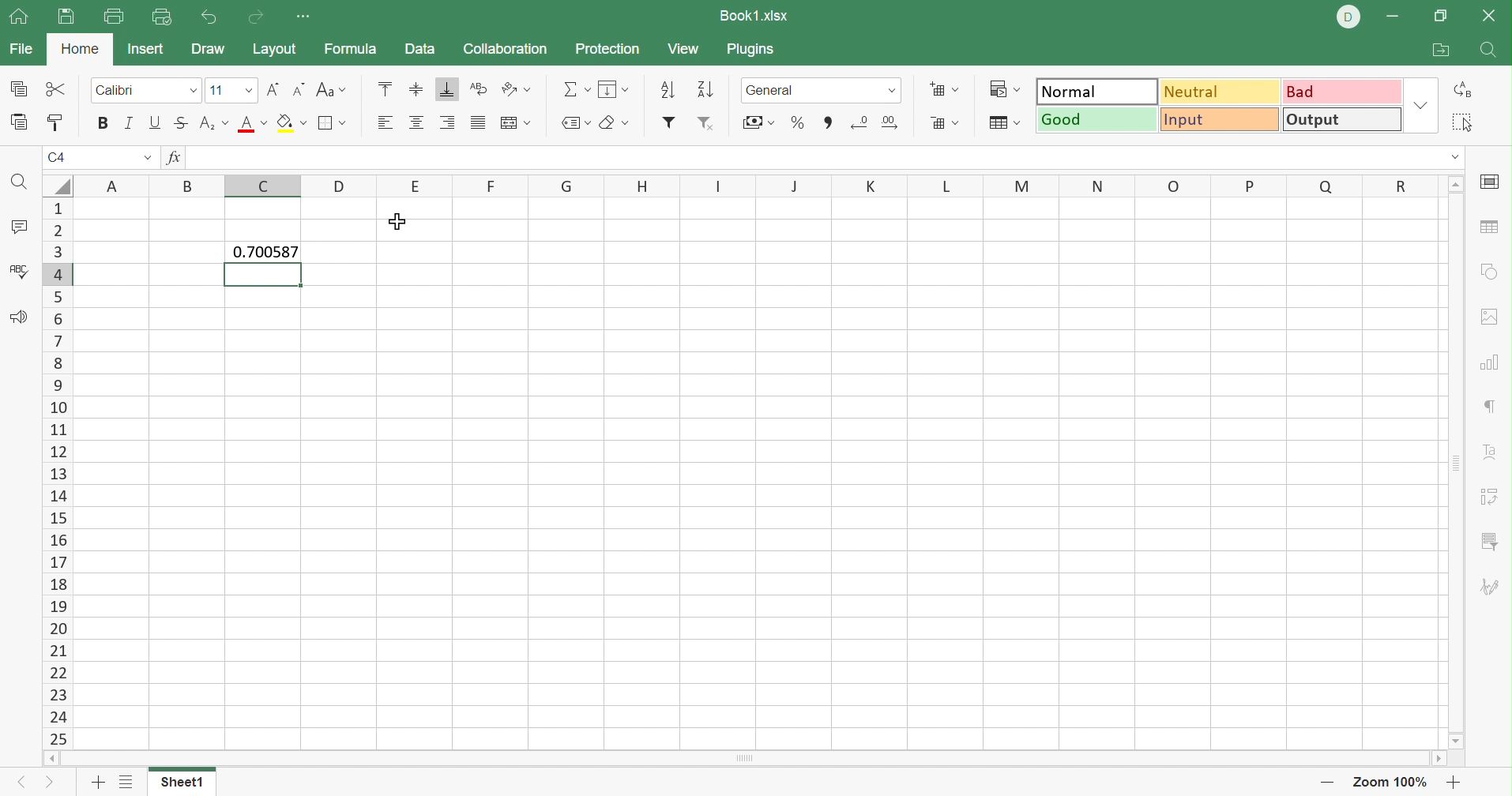  I want to click on Row names, so click(57, 472).